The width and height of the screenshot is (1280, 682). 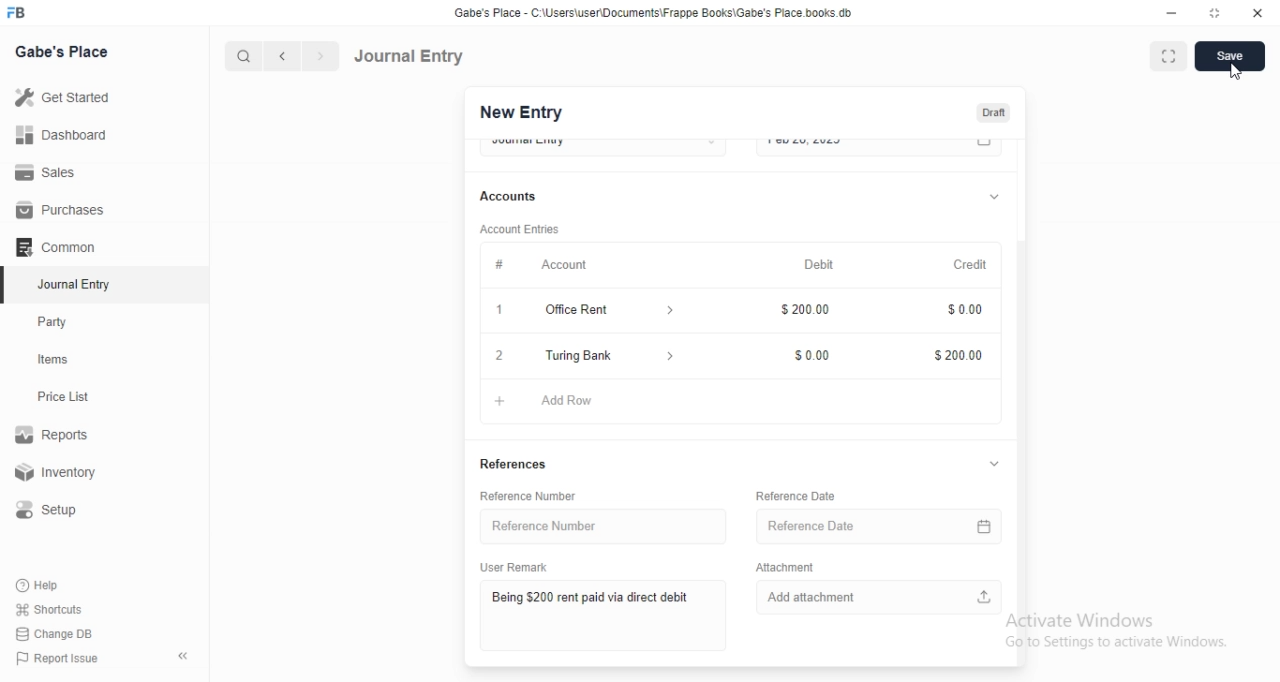 What do you see at coordinates (61, 99) in the screenshot?
I see `Get Started` at bounding box center [61, 99].